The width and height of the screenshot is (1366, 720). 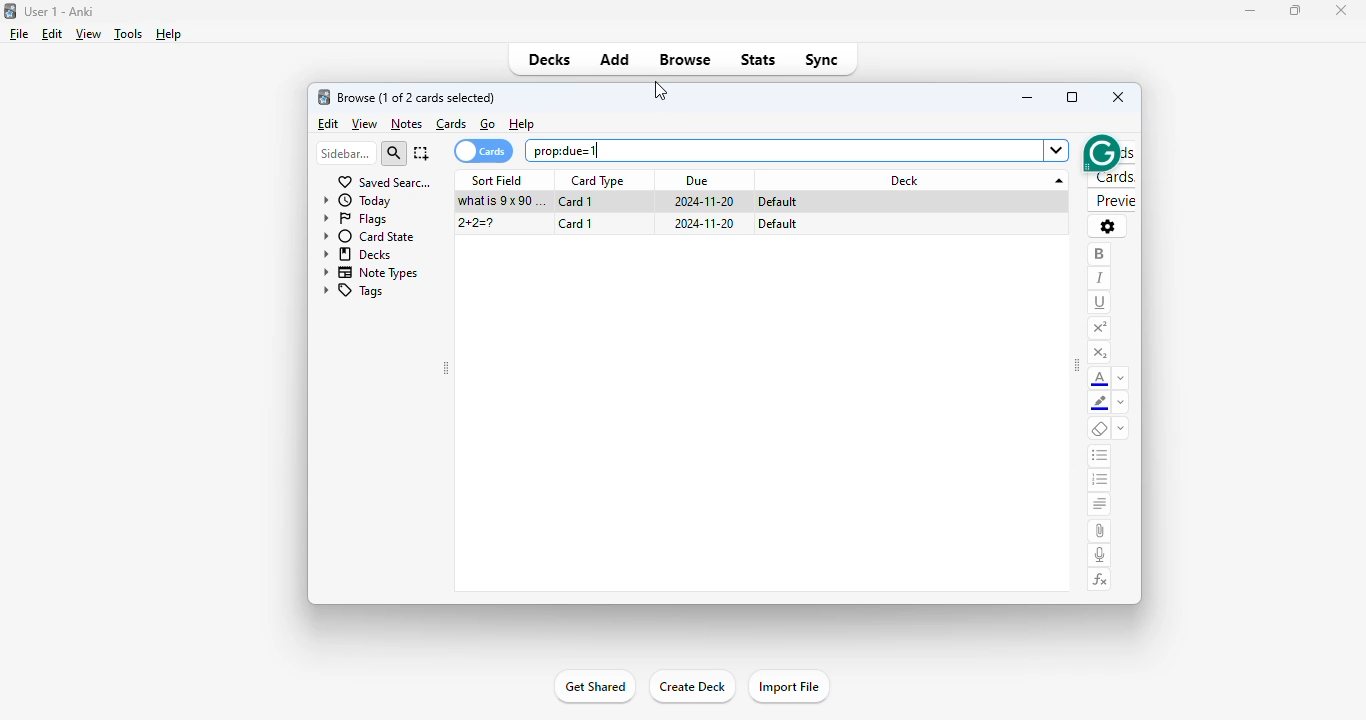 What do you see at coordinates (52, 34) in the screenshot?
I see `edit` at bounding box center [52, 34].